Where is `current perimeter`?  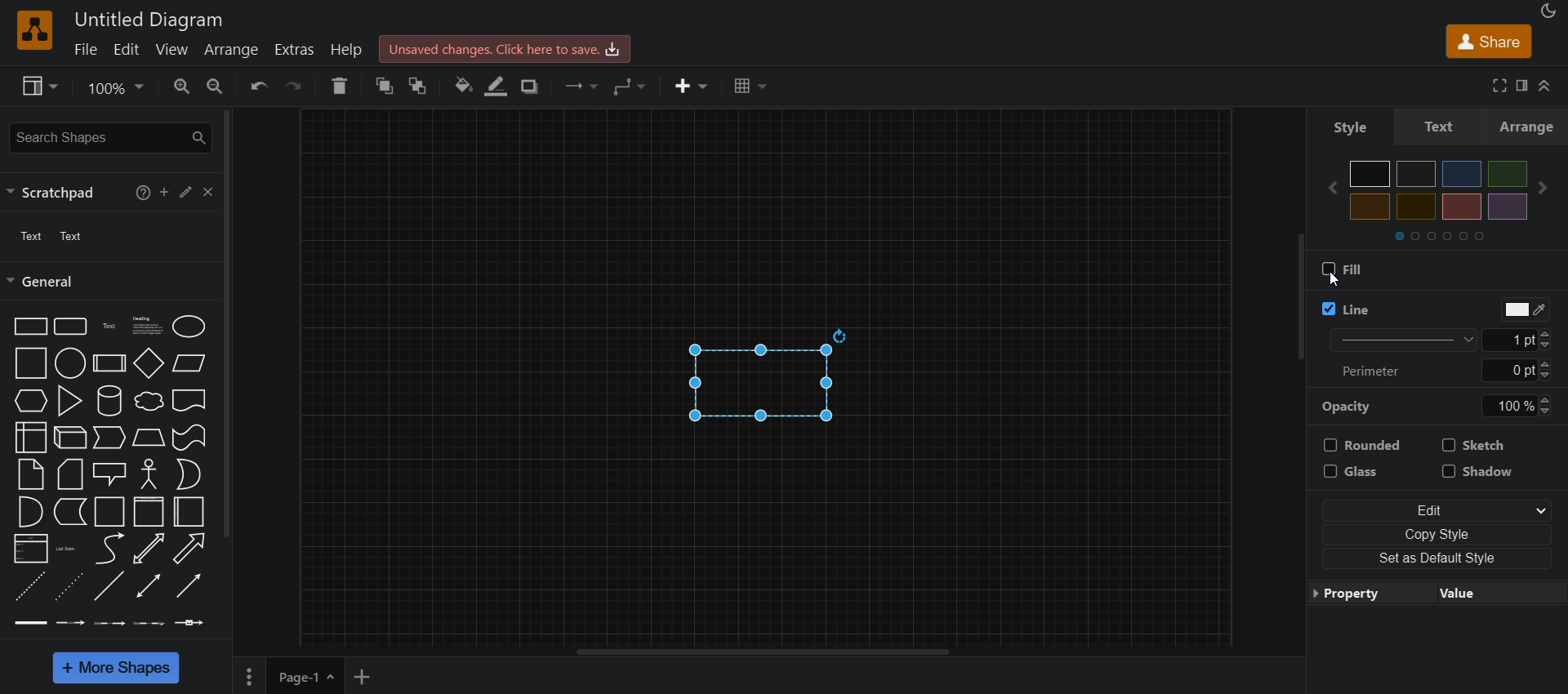
current perimeter is located at coordinates (1508, 369).